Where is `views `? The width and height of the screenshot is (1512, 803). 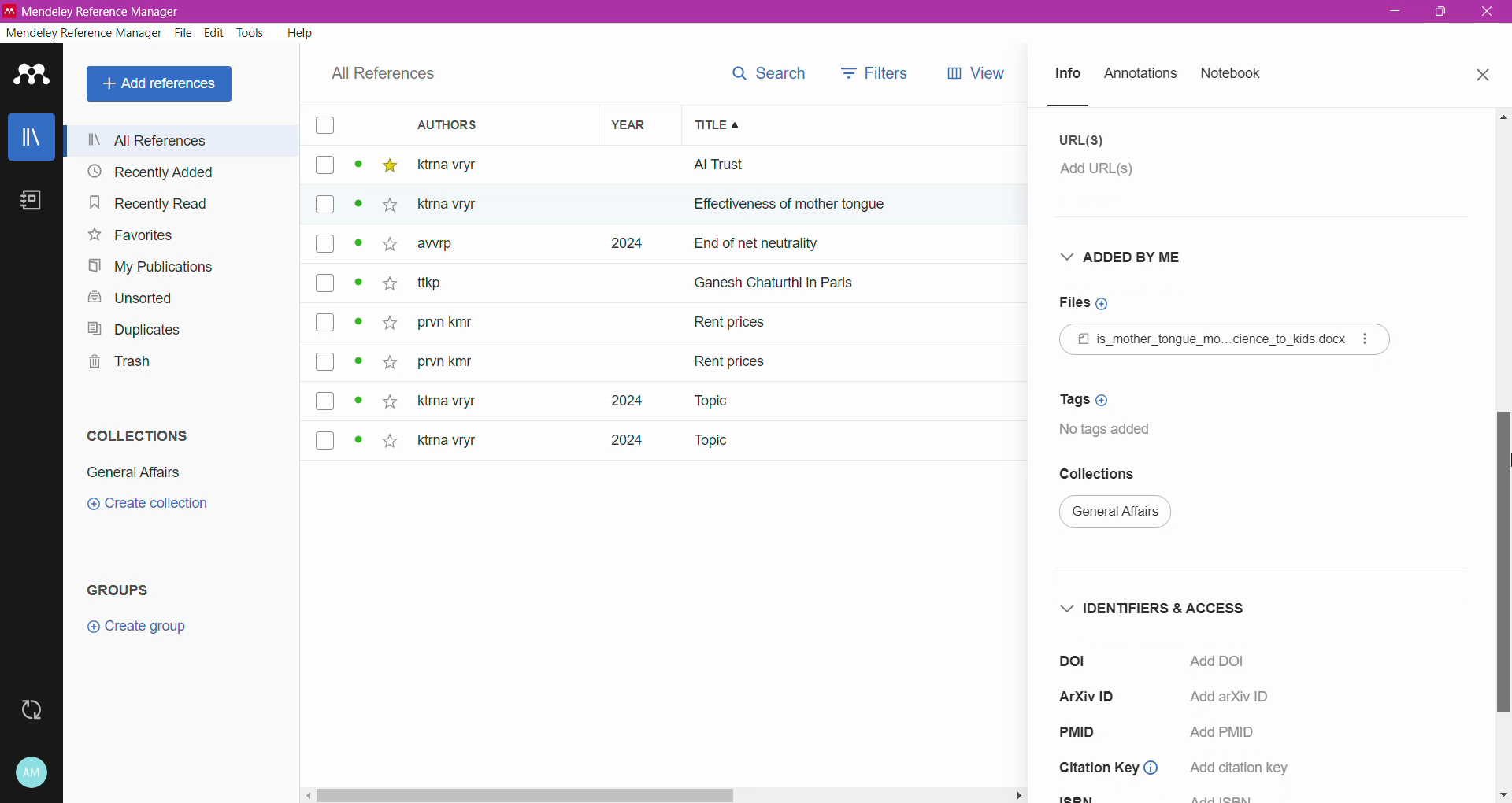 views  is located at coordinates (987, 73).